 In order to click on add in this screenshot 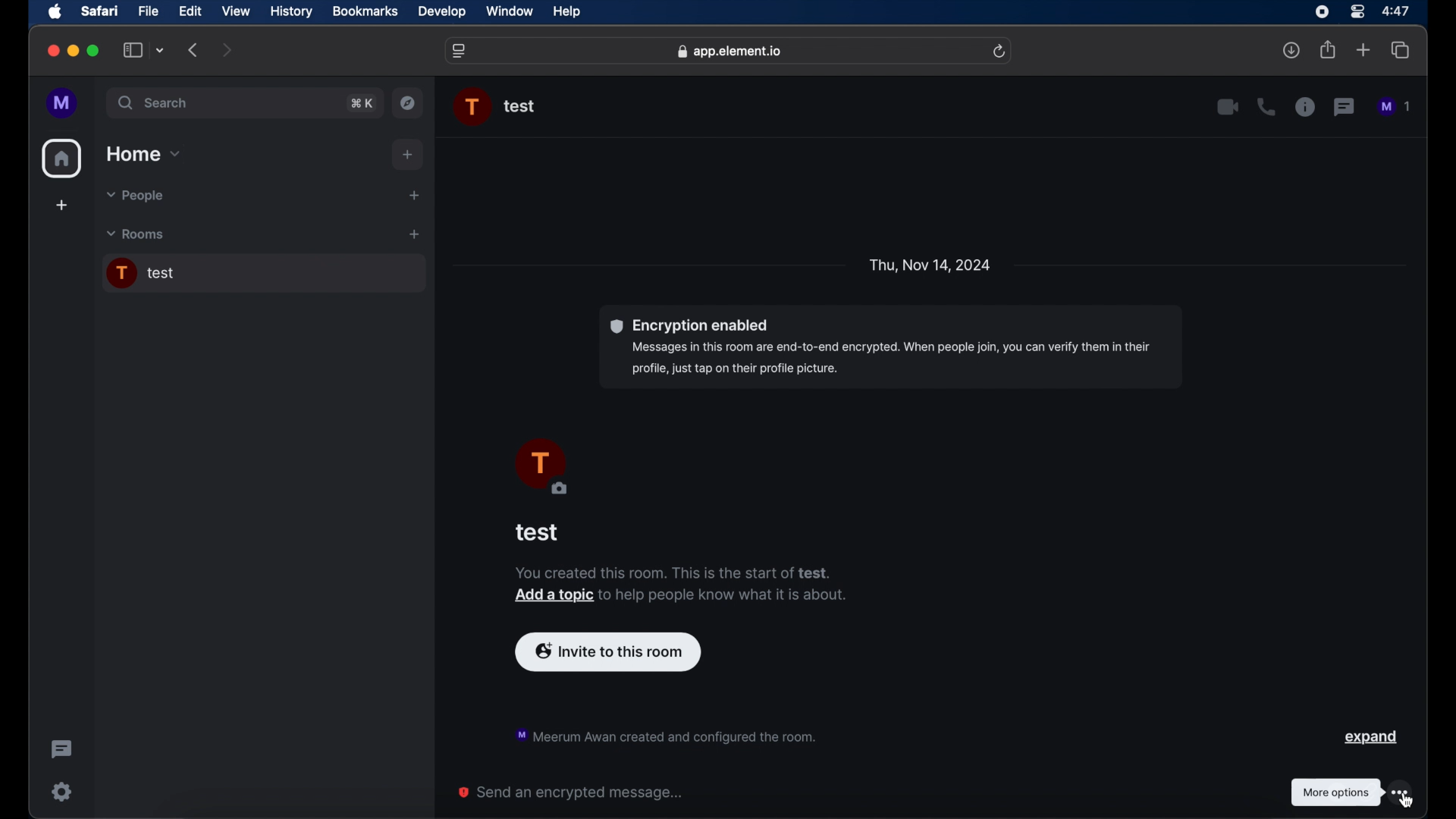, I will do `click(61, 207)`.